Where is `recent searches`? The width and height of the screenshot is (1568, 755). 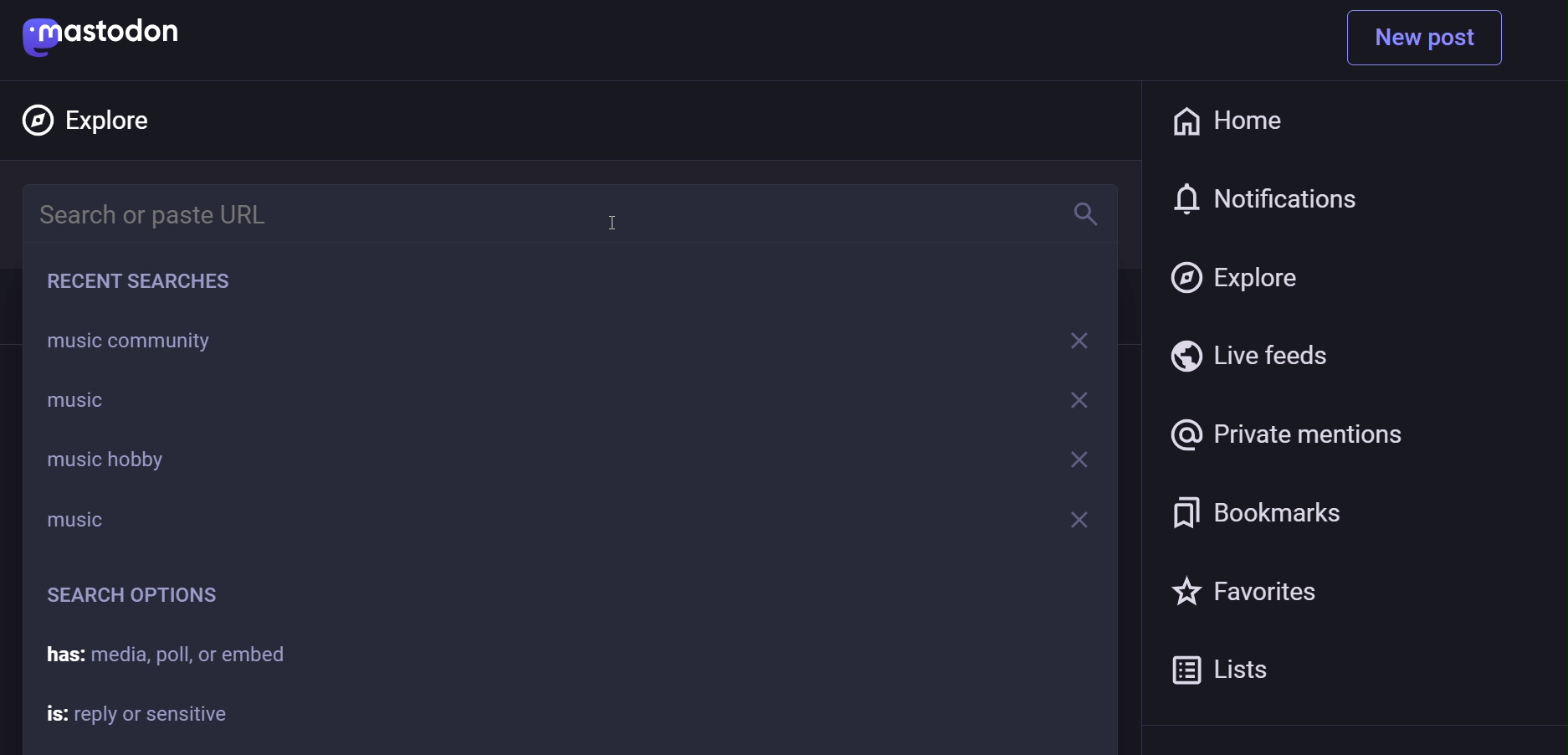 recent searches is located at coordinates (157, 282).